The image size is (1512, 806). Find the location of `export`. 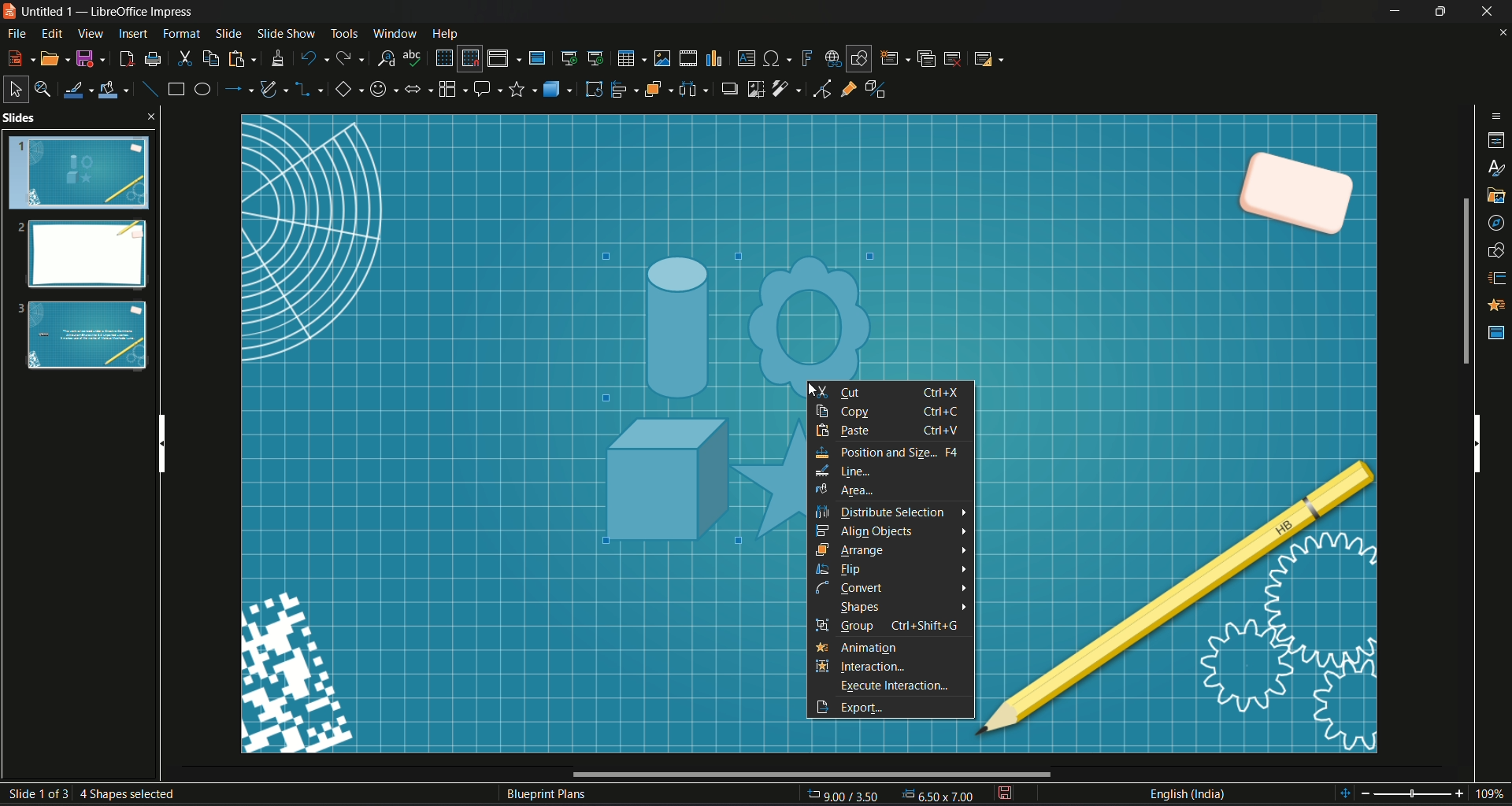

export is located at coordinates (873, 706).